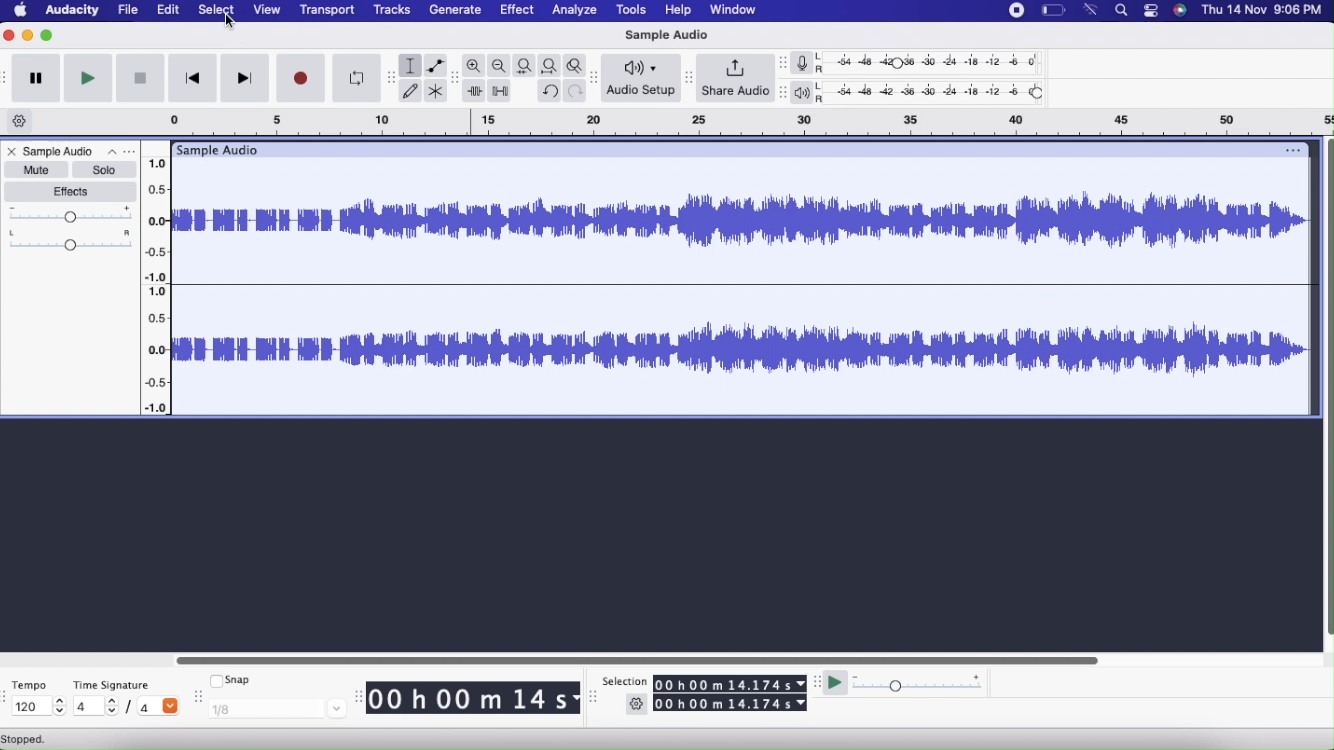 Image resolution: width=1334 pixels, height=750 pixels. I want to click on 00 h 00 m 14.174 s, so click(730, 703).